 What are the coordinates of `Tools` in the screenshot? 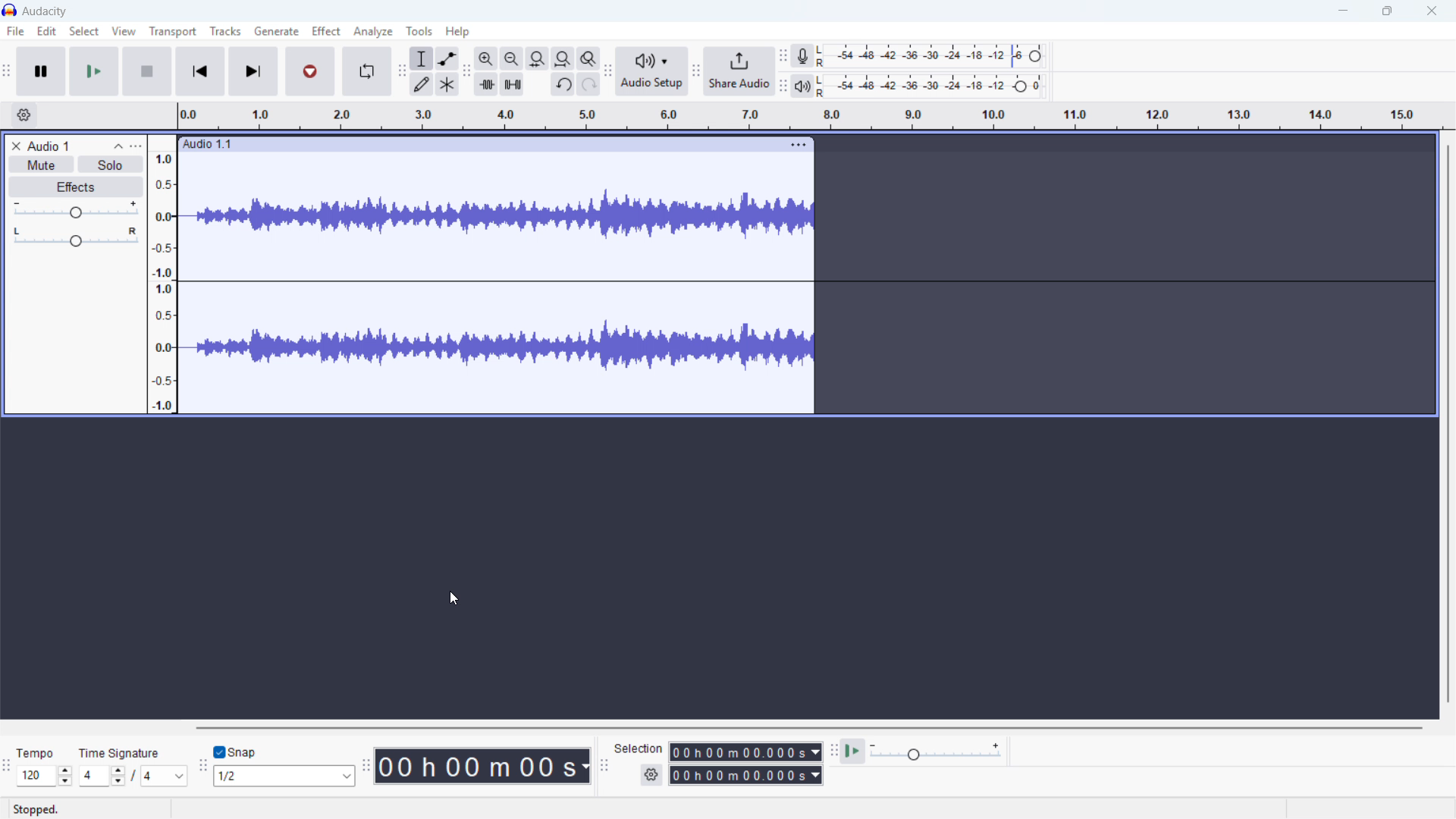 It's located at (420, 30).